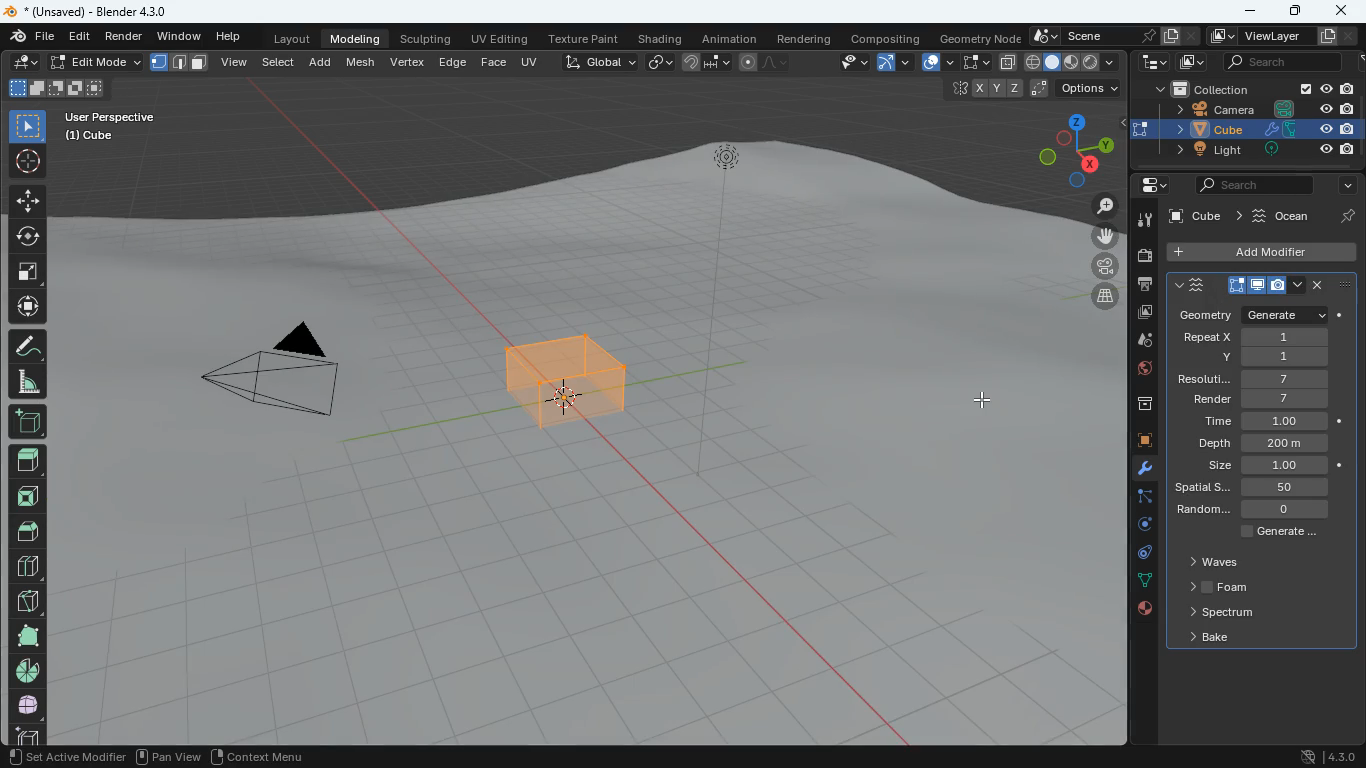 The width and height of the screenshot is (1366, 768). I want to click on spectrum, so click(1221, 613).